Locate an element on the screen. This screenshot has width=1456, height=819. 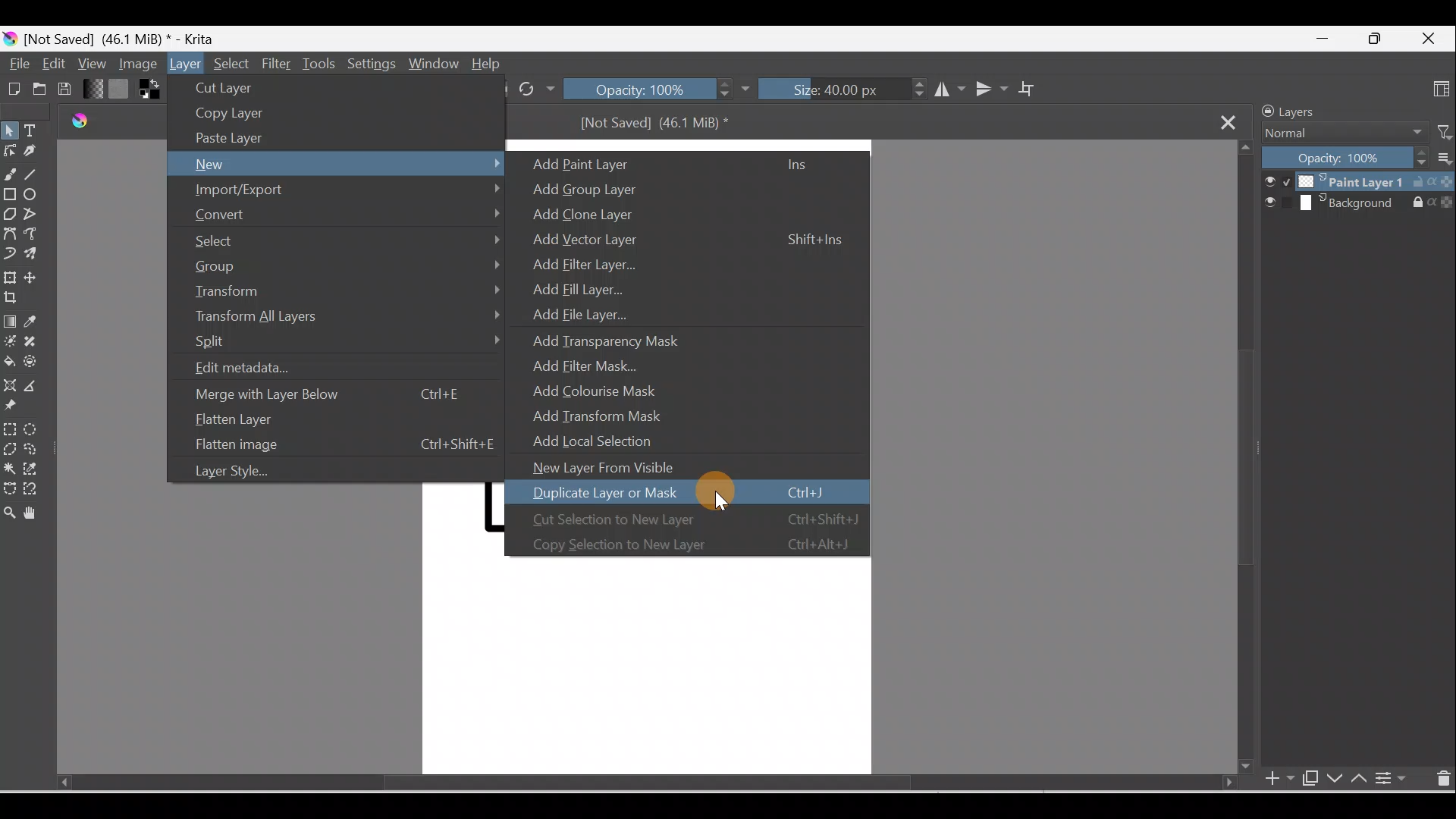
Edit shapes tool is located at coordinates (9, 149).